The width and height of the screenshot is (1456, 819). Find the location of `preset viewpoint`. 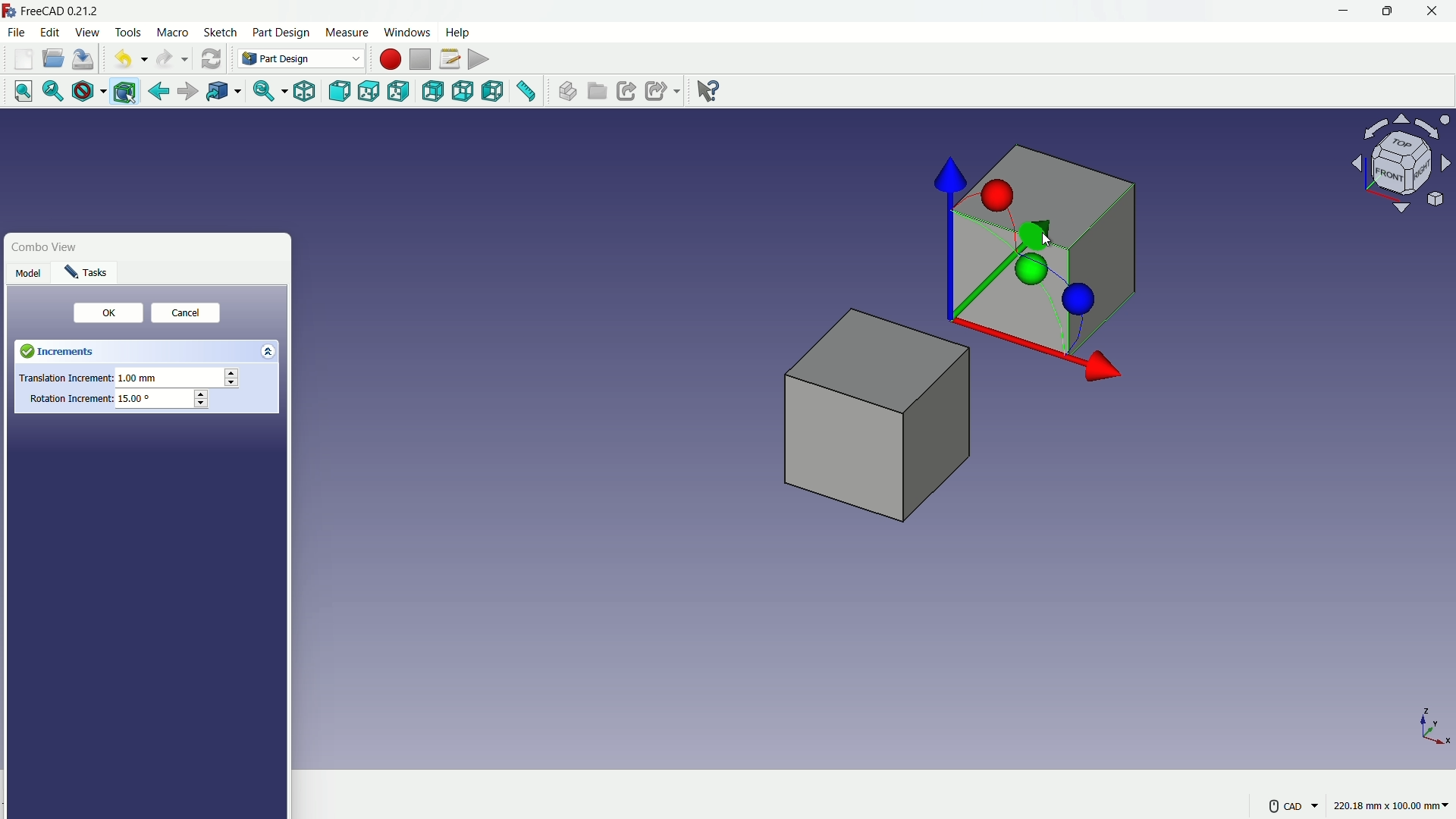

preset viewpoint is located at coordinates (1406, 171).